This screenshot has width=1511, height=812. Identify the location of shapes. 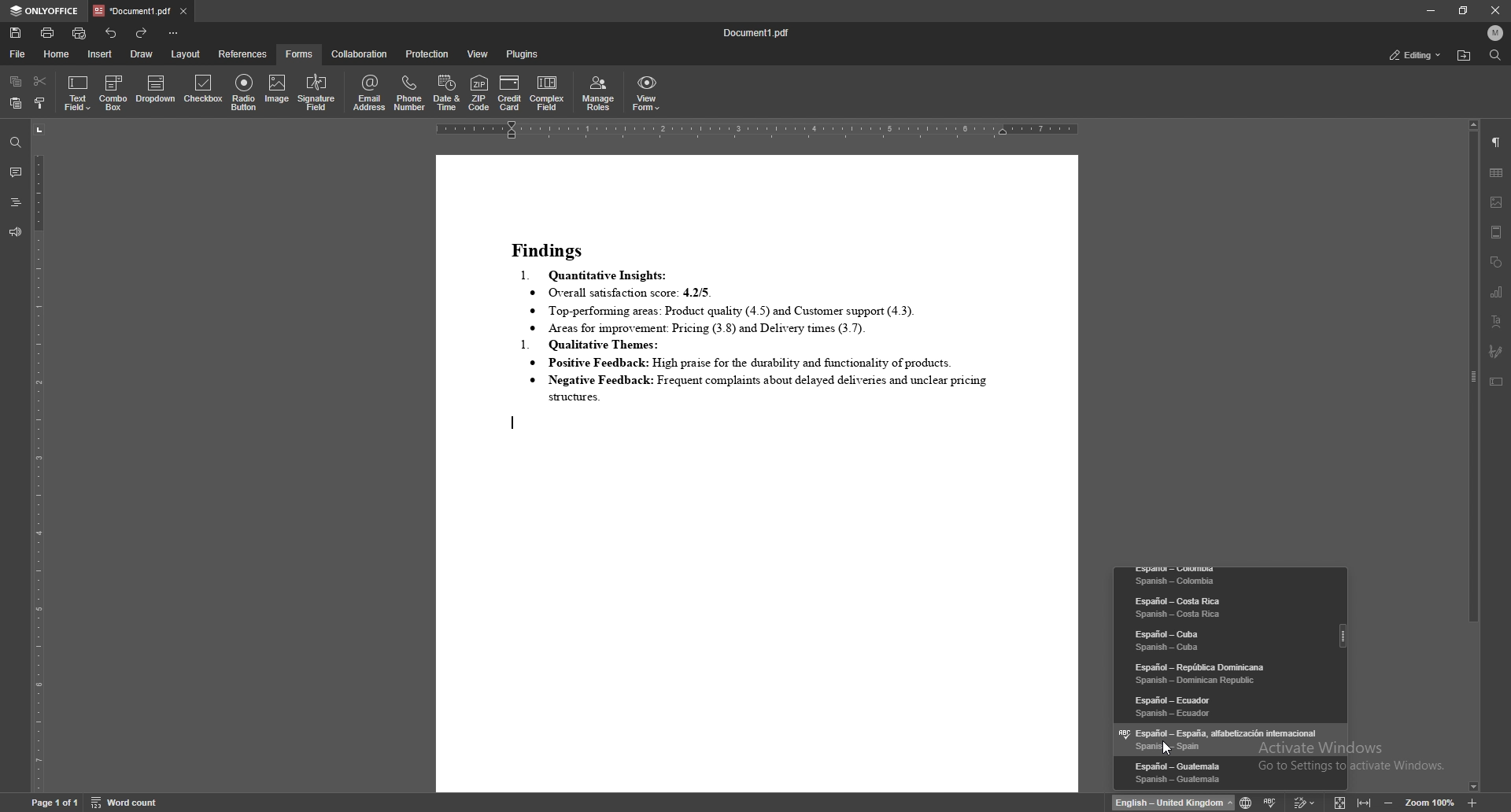
(1497, 263).